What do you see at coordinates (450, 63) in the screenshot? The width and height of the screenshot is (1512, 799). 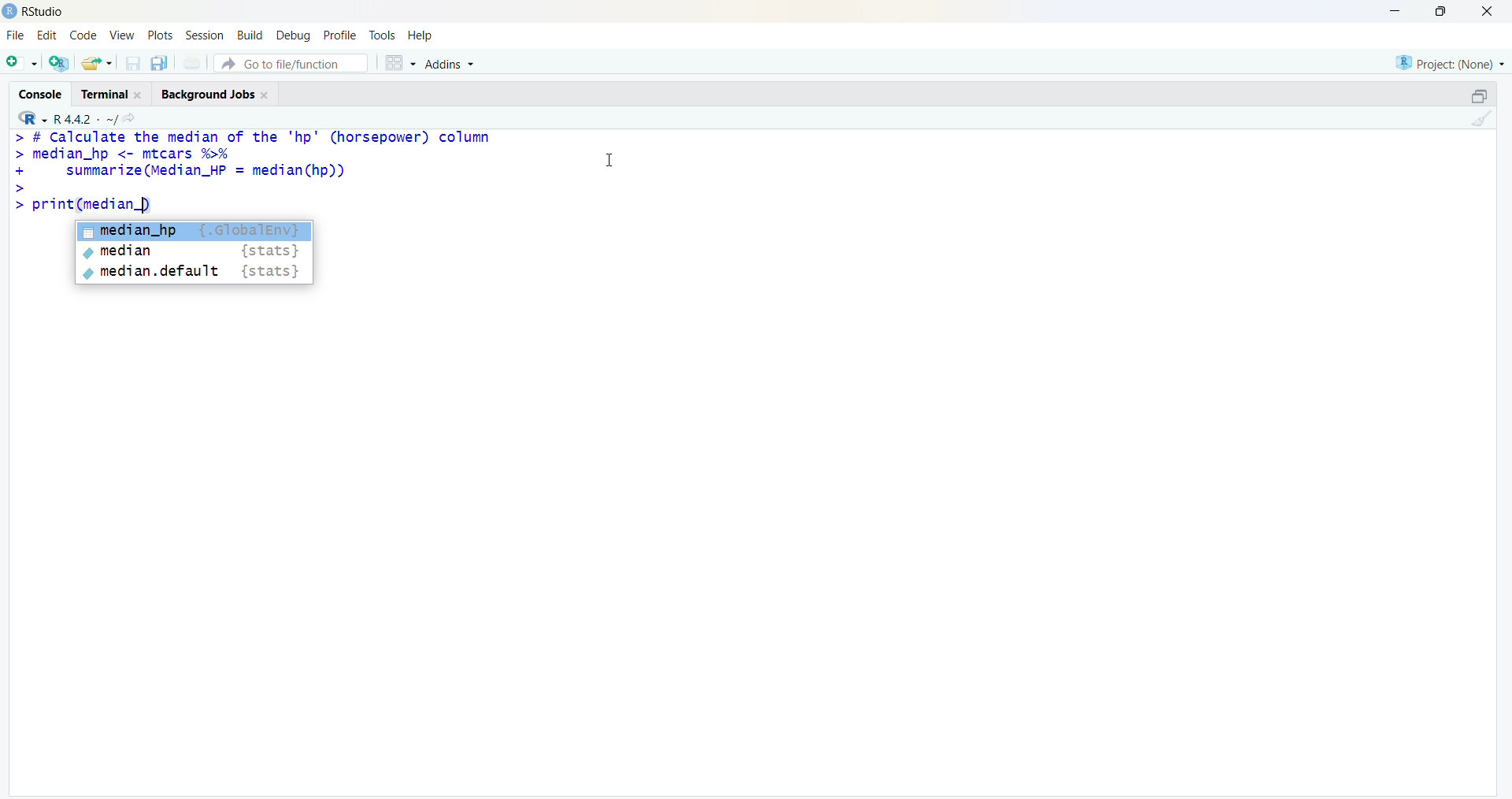 I see `Addins` at bounding box center [450, 63].